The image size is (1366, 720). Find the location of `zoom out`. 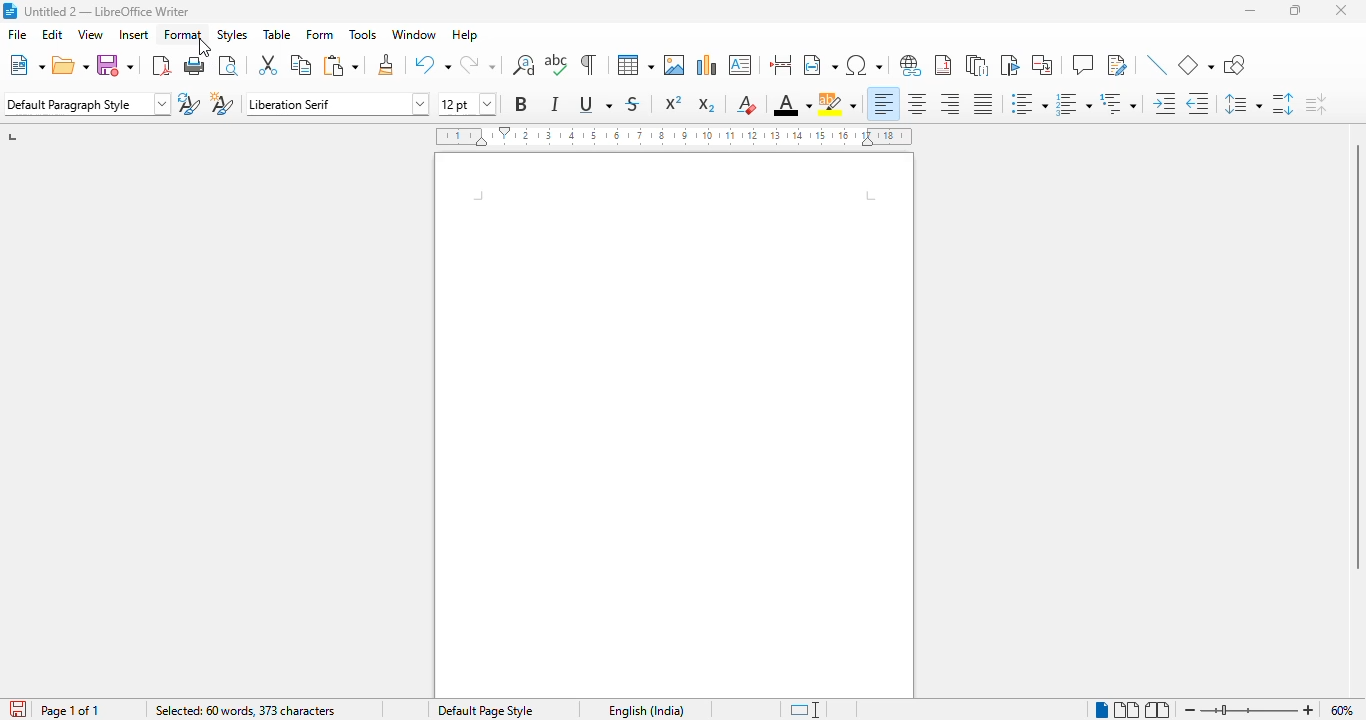

zoom out is located at coordinates (1189, 710).